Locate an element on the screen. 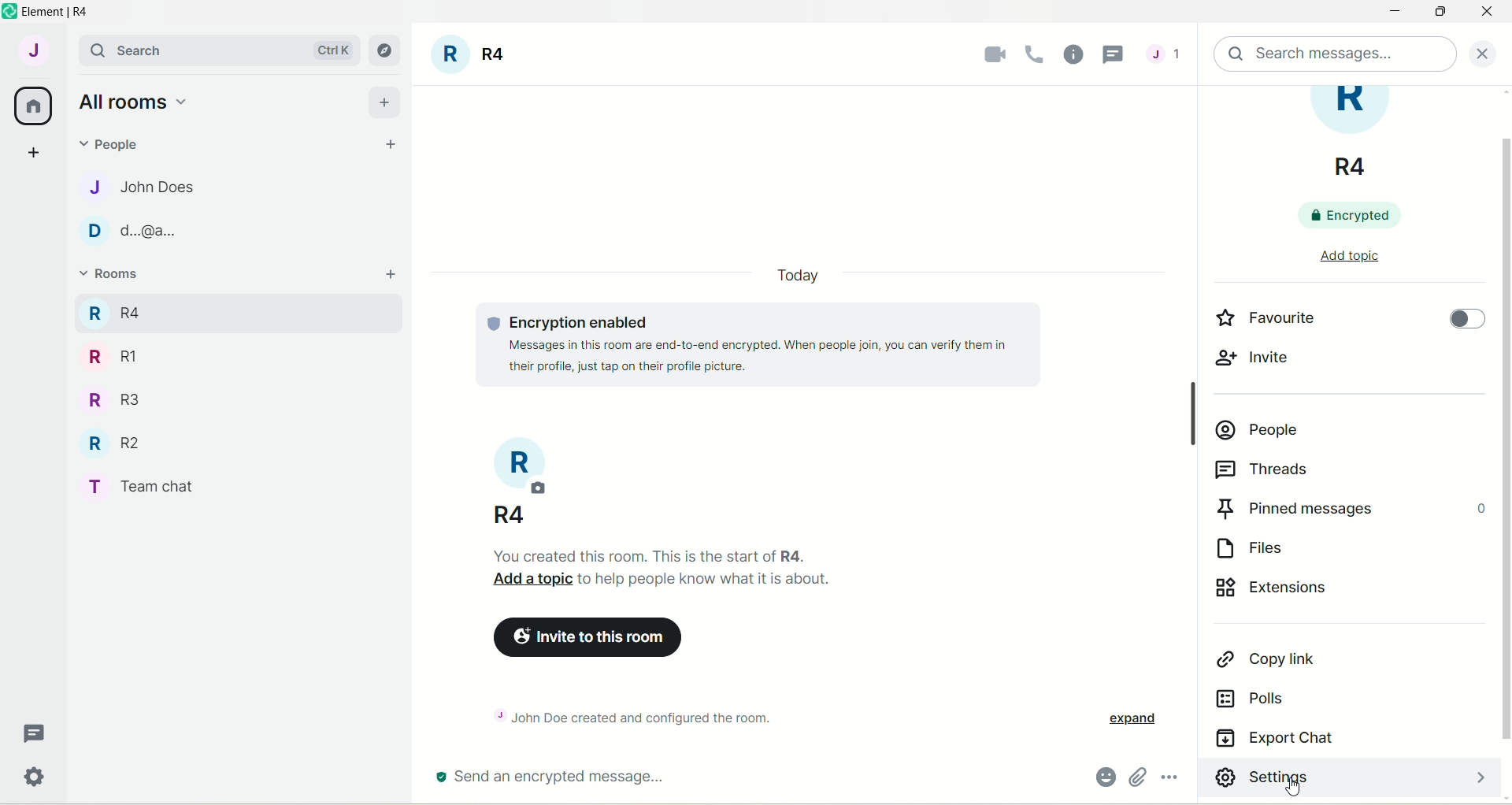  T Team chat is located at coordinates (150, 484).